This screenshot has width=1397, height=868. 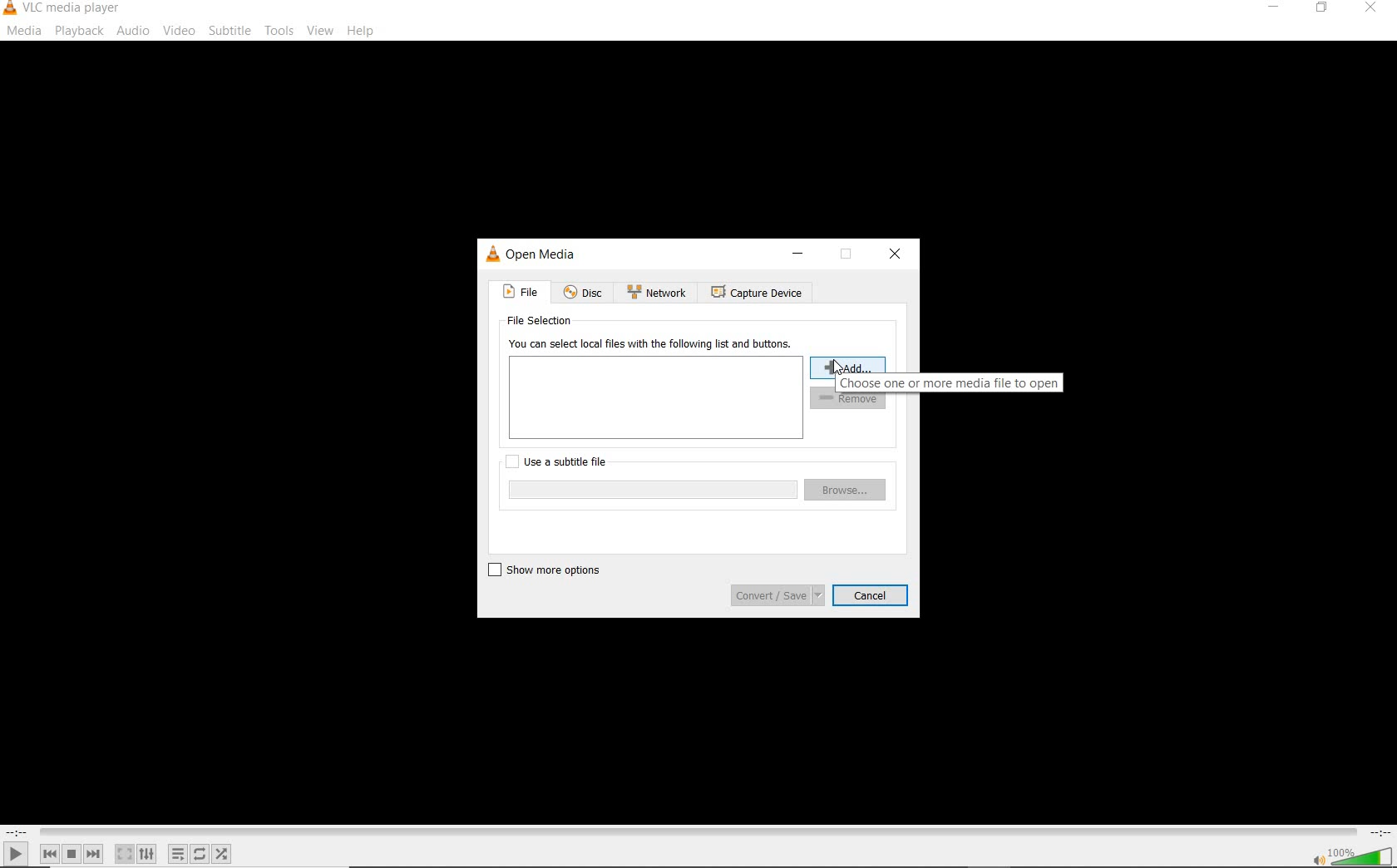 What do you see at coordinates (847, 490) in the screenshot?
I see `browse` at bounding box center [847, 490].